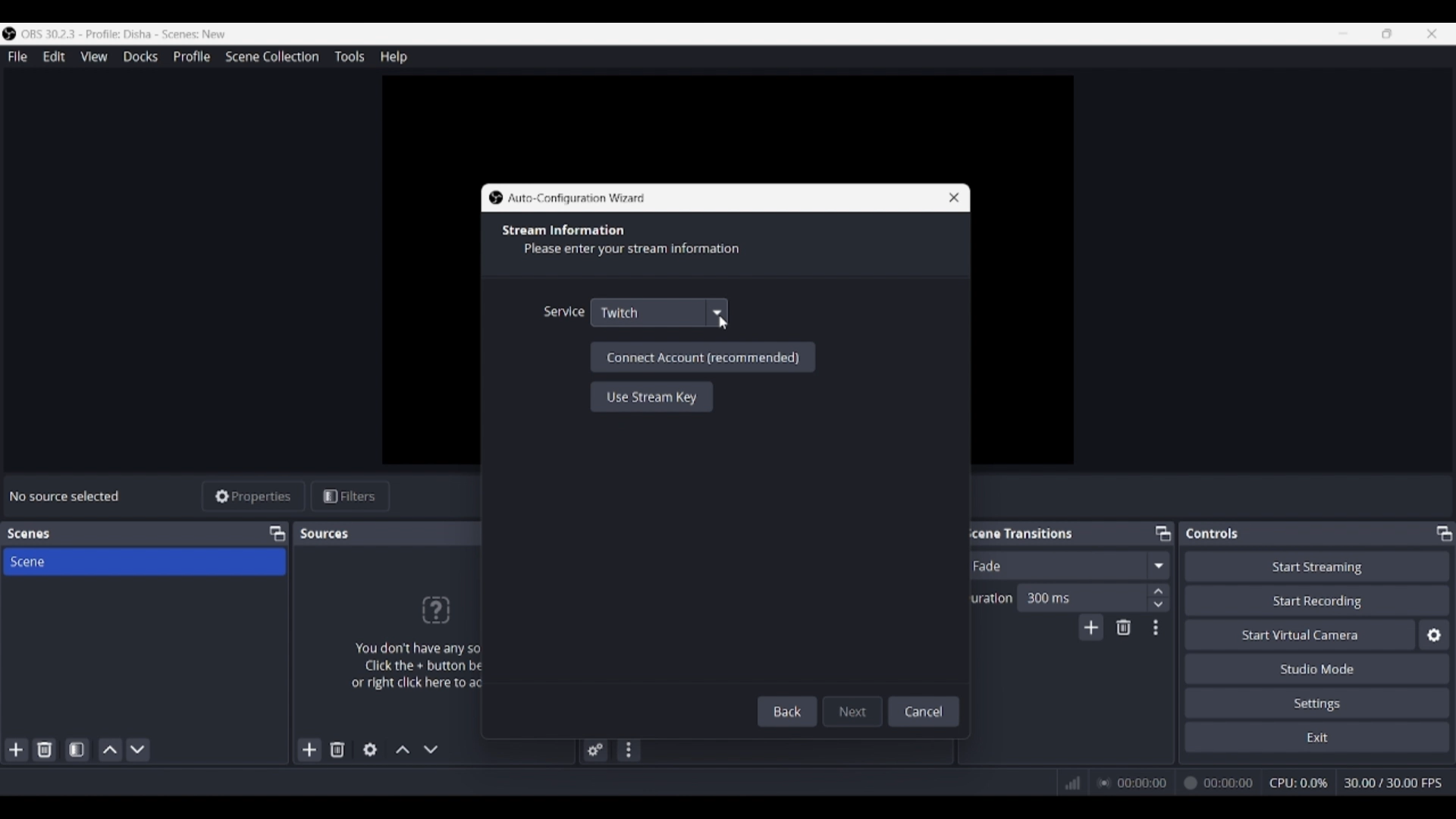  What do you see at coordinates (111, 750) in the screenshot?
I see `Move scene up` at bounding box center [111, 750].